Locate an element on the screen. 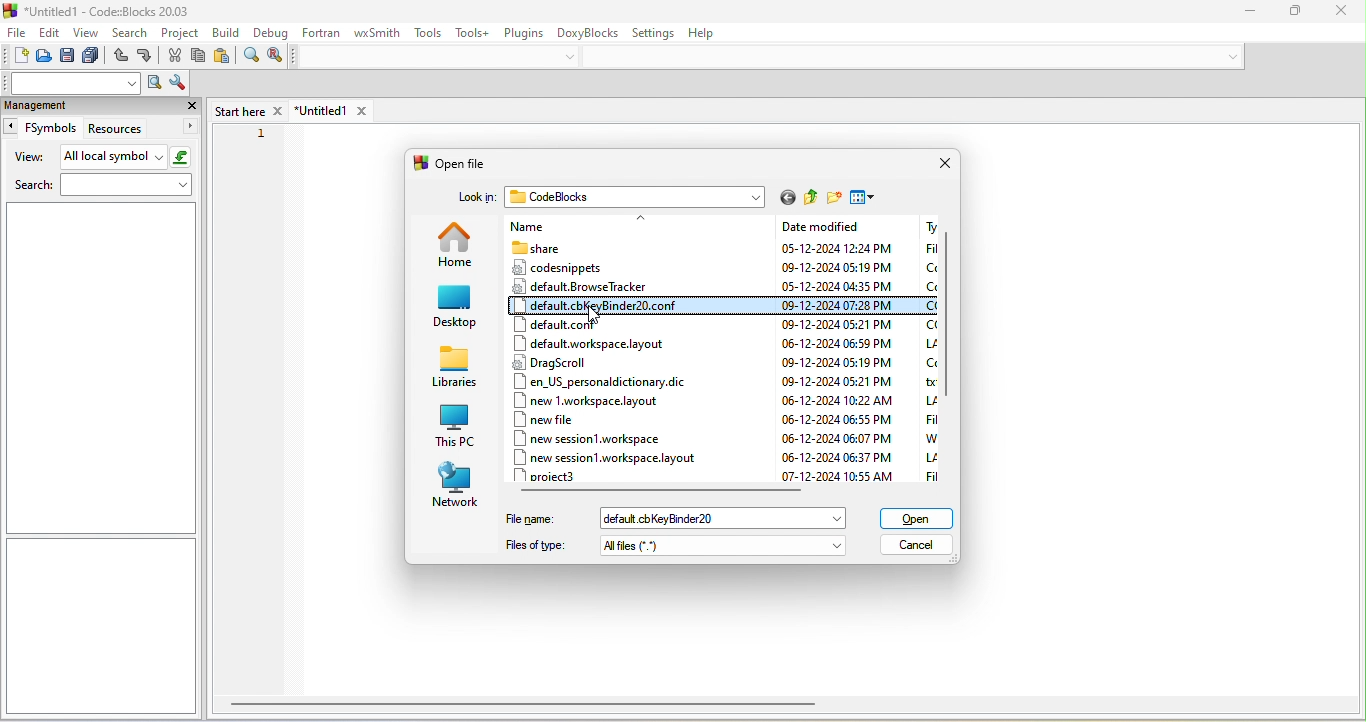 The width and height of the screenshot is (1366, 722). cancel is located at coordinates (918, 546).